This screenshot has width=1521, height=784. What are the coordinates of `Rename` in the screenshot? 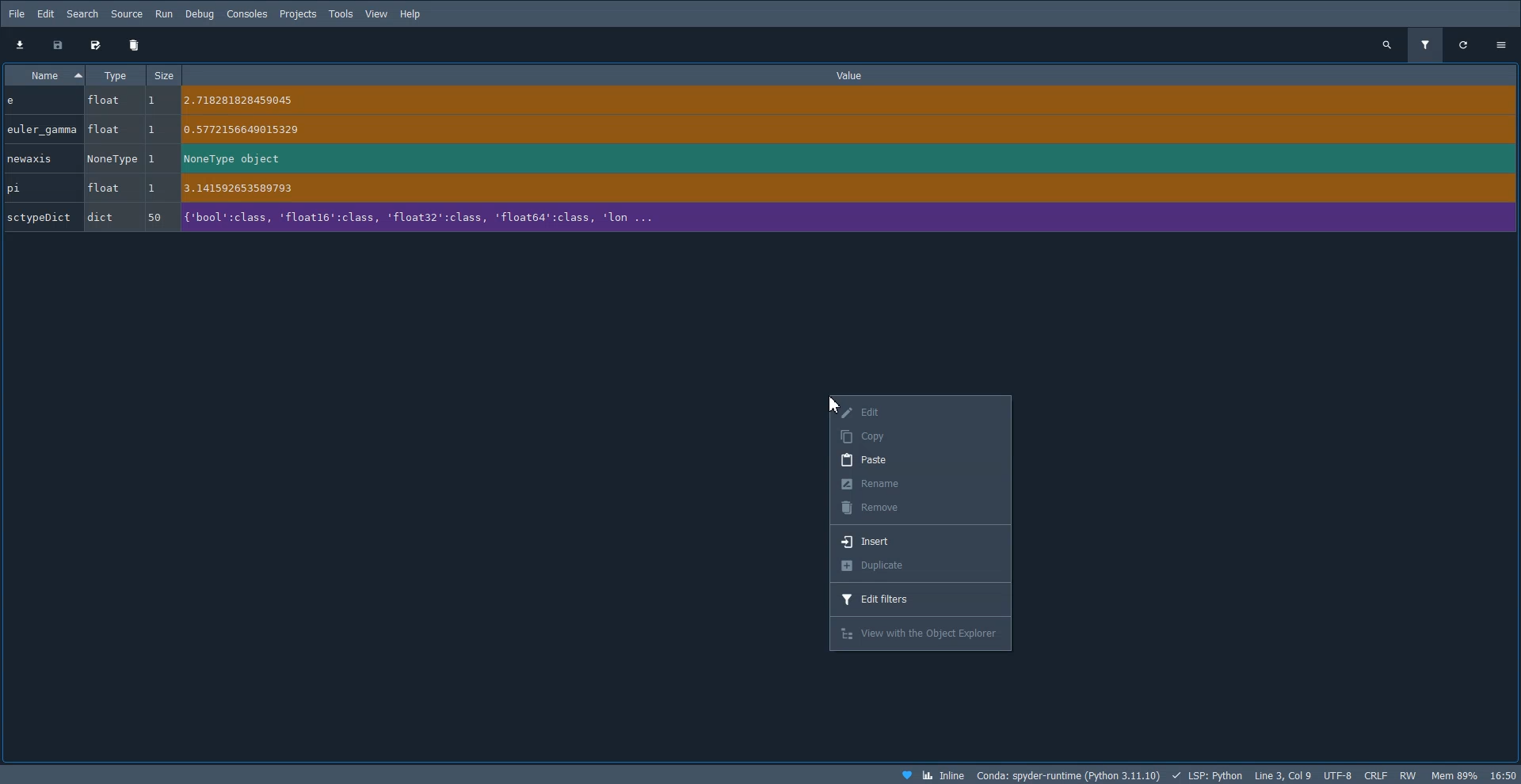 It's located at (921, 485).